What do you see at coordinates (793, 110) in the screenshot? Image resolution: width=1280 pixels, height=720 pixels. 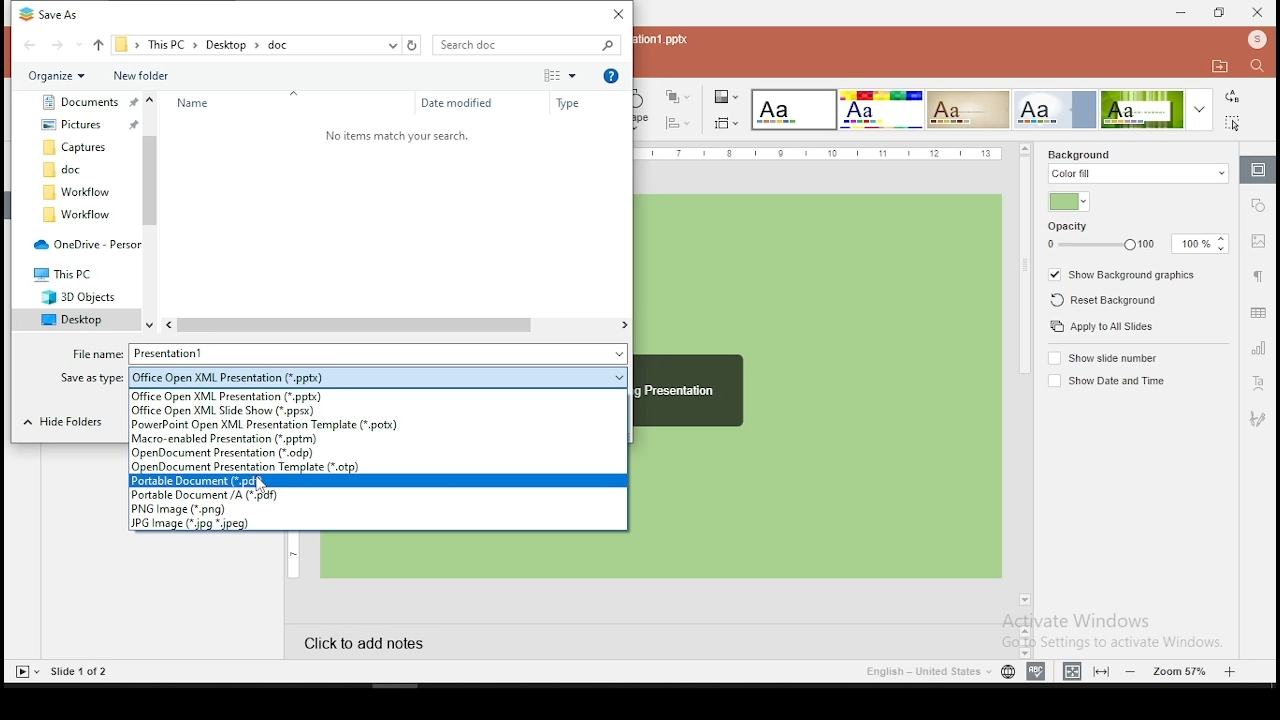 I see `select color theme` at bounding box center [793, 110].